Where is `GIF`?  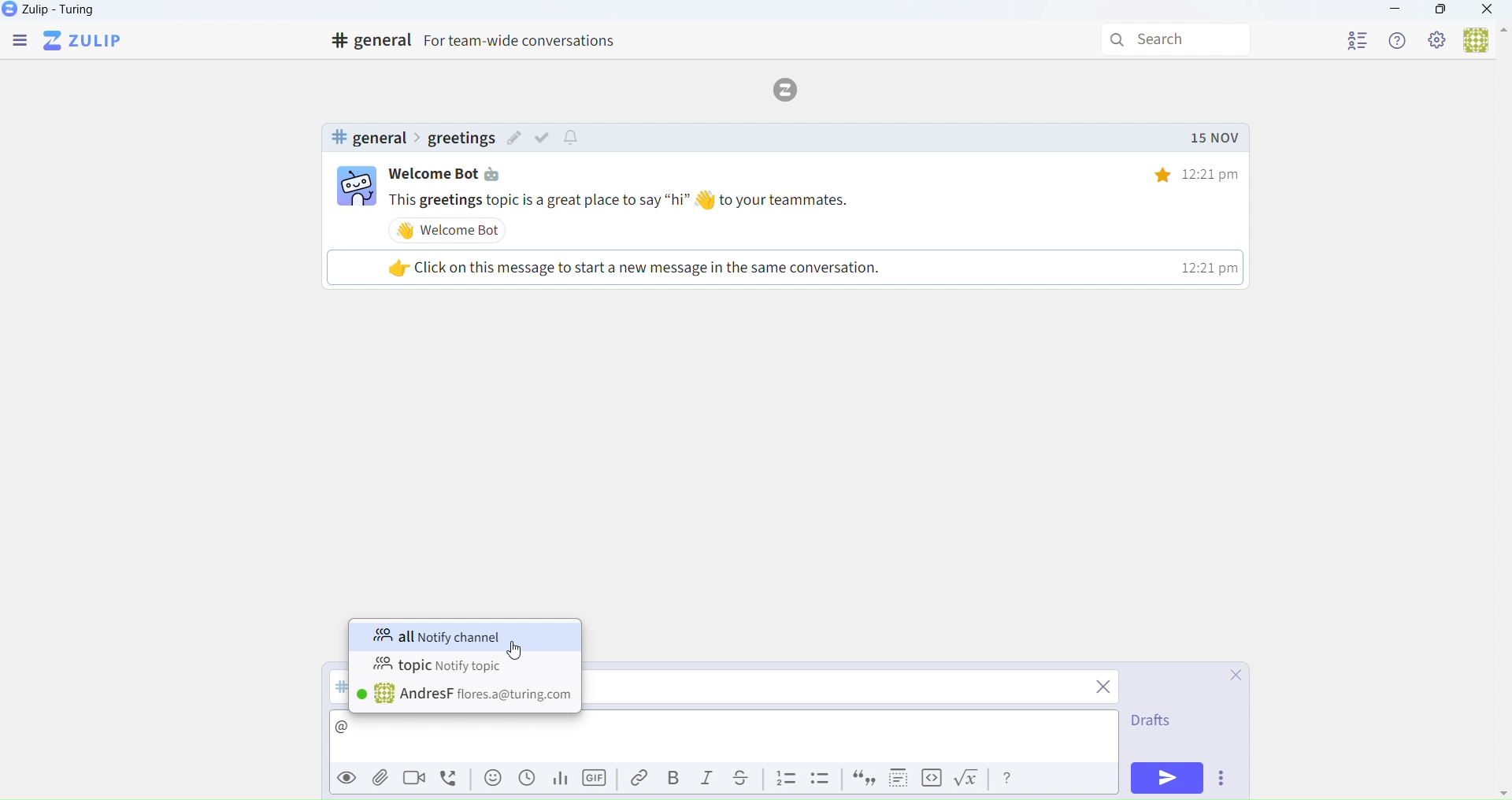 GIF is located at coordinates (597, 781).